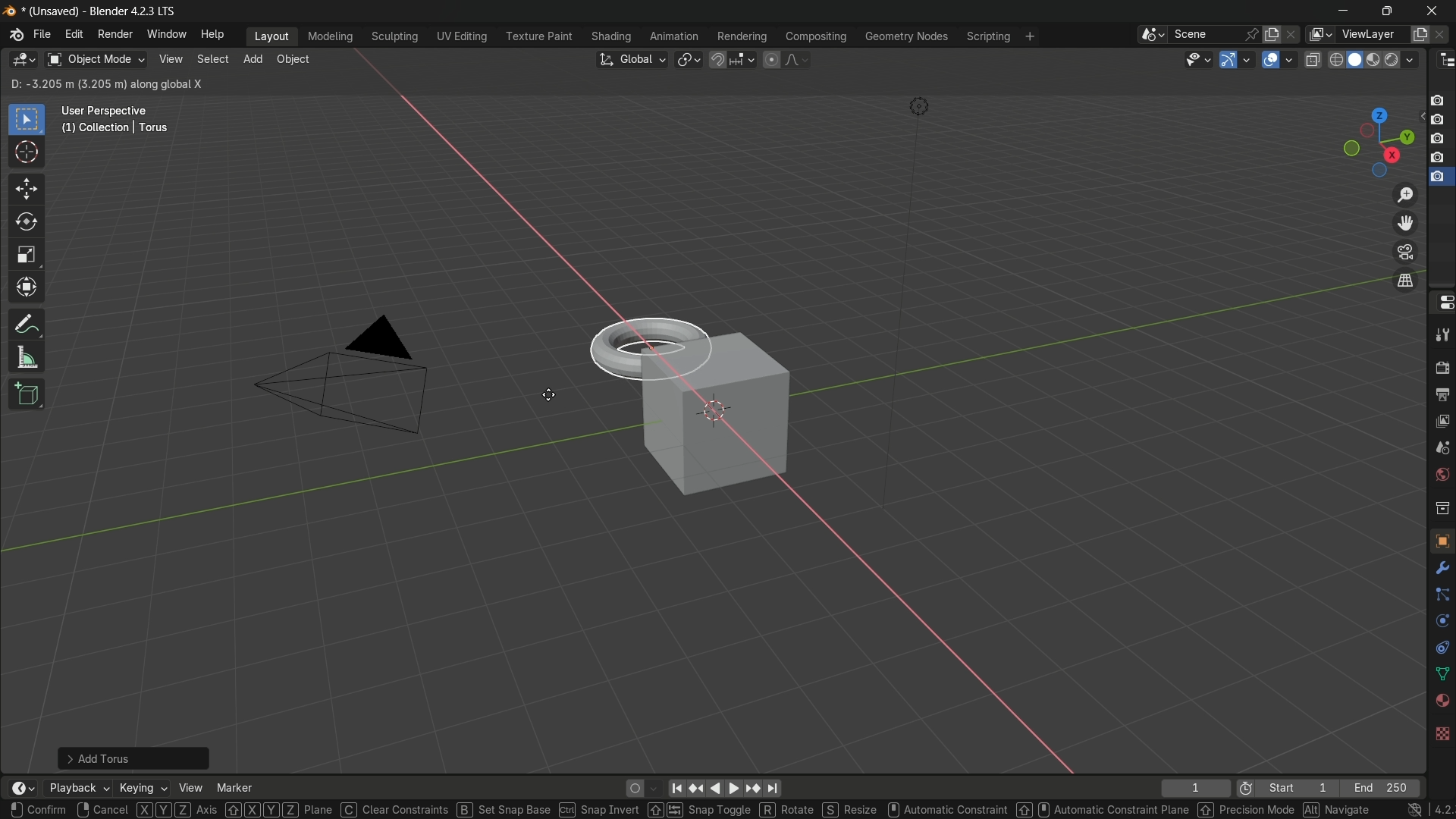  What do you see at coordinates (28, 394) in the screenshot?
I see `add cube` at bounding box center [28, 394].